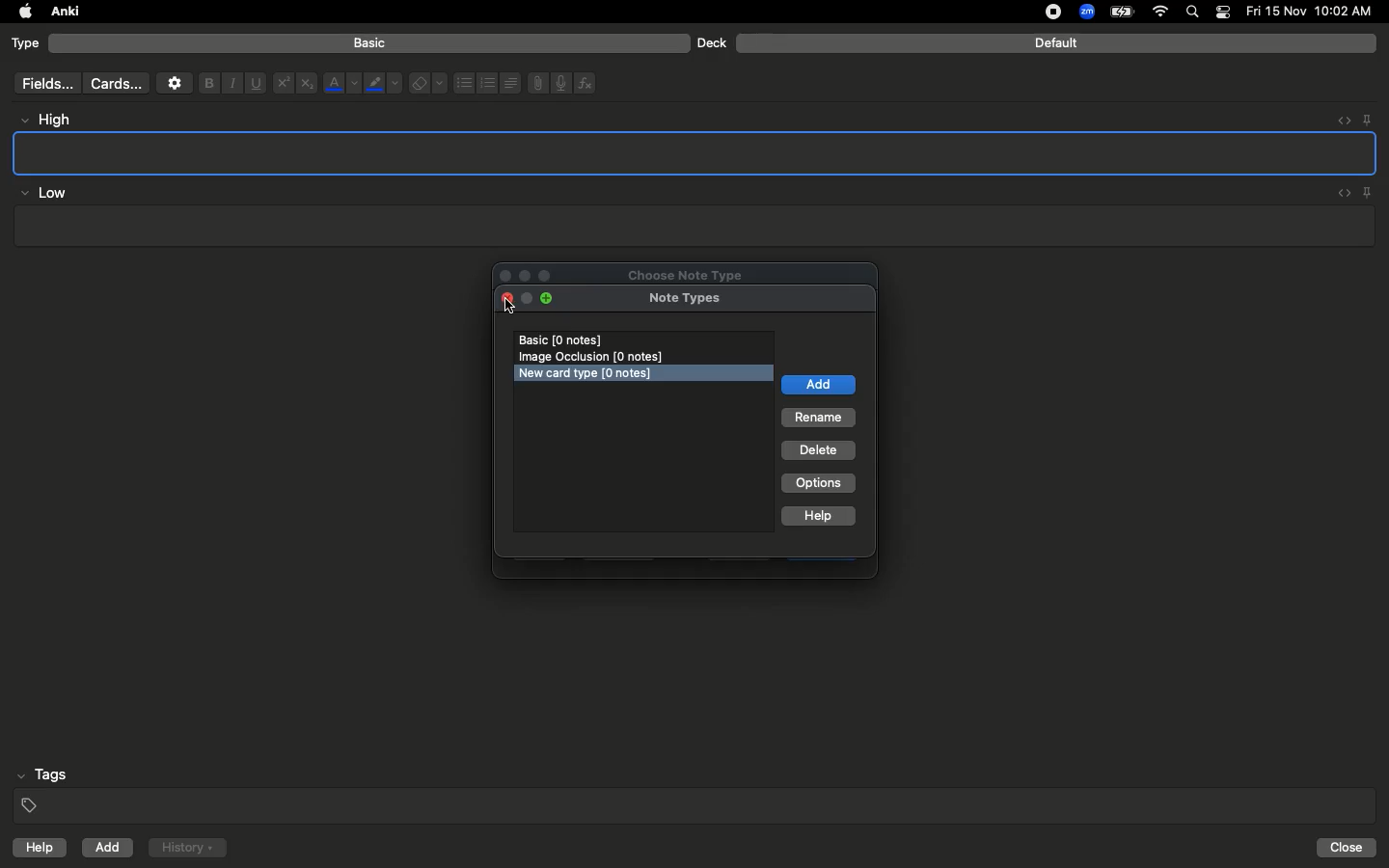 This screenshot has height=868, width=1389. I want to click on Delete, so click(819, 451).